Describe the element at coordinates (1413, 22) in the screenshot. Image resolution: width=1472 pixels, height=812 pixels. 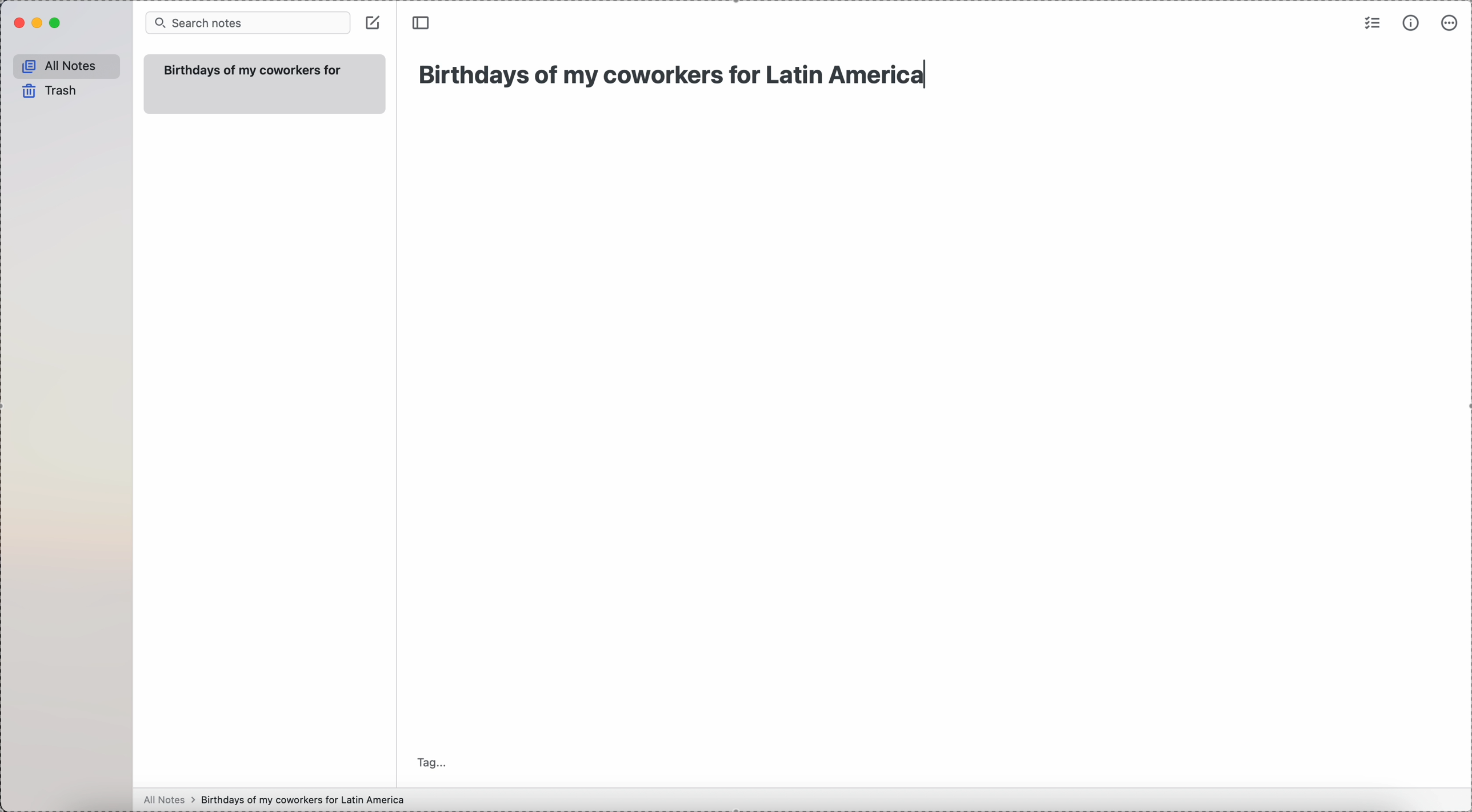
I see `metrics` at that location.